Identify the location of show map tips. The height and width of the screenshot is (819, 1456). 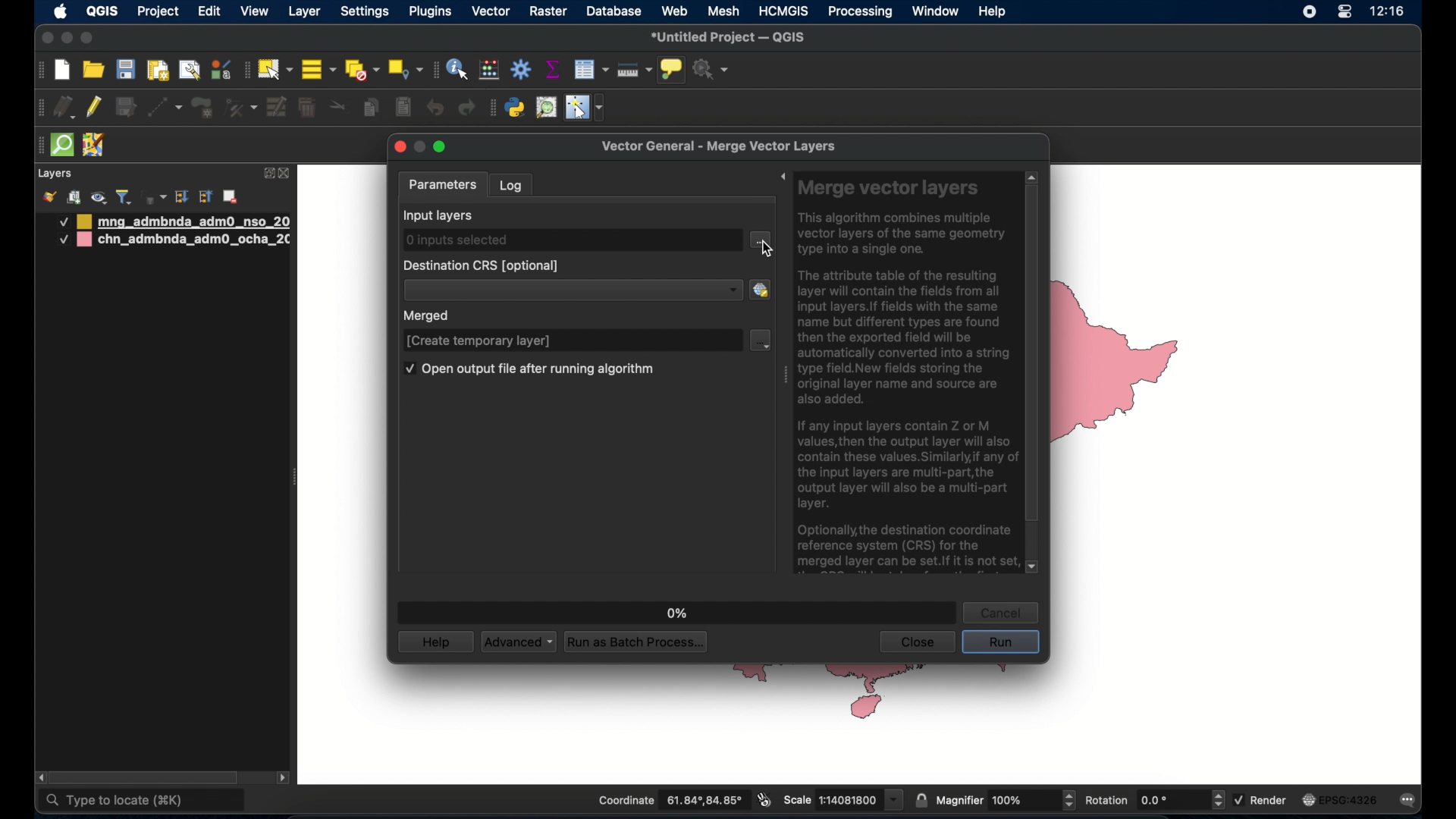
(670, 69).